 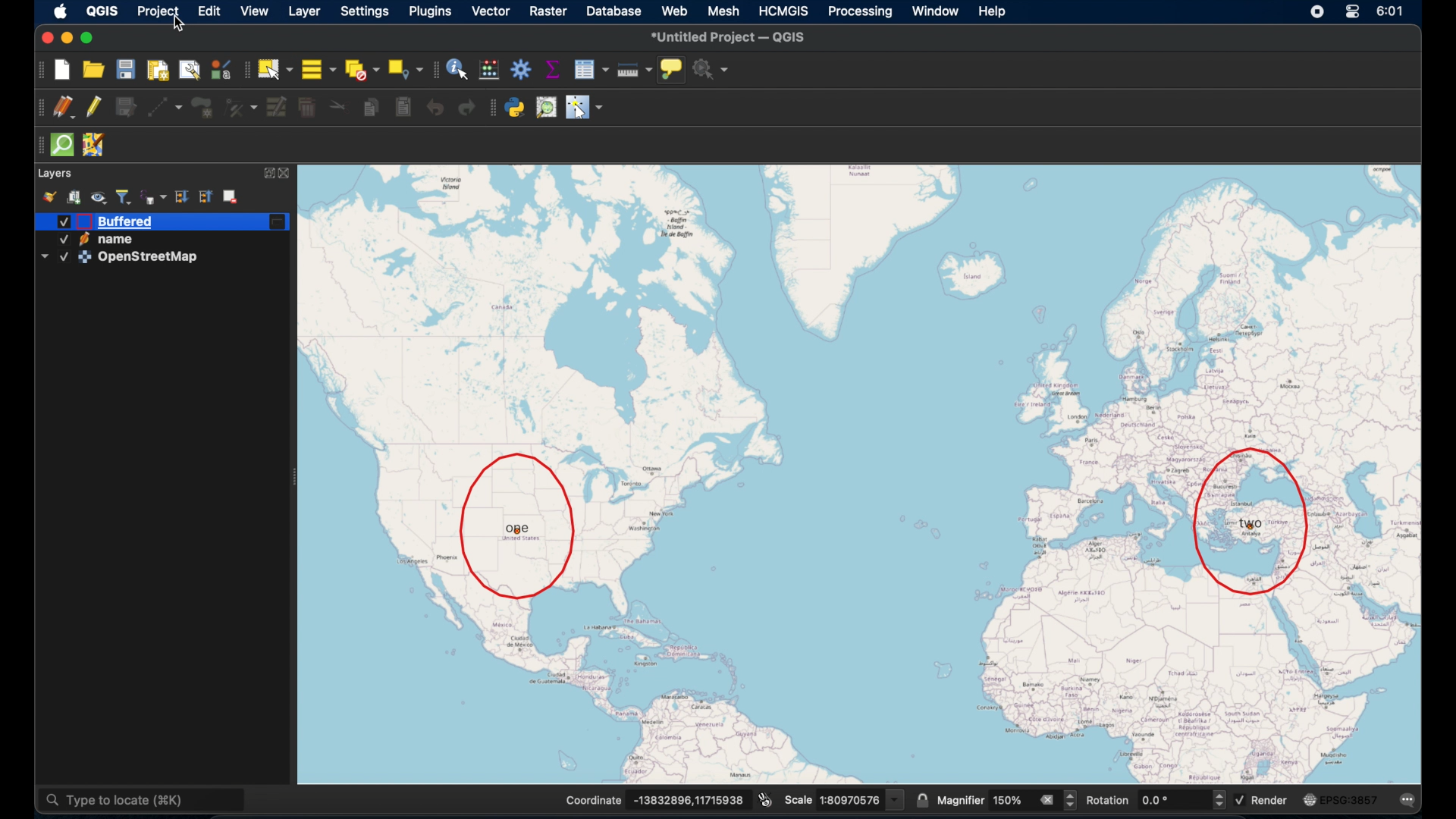 What do you see at coordinates (491, 69) in the screenshot?
I see `open field calculator` at bounding box center [491, 69].